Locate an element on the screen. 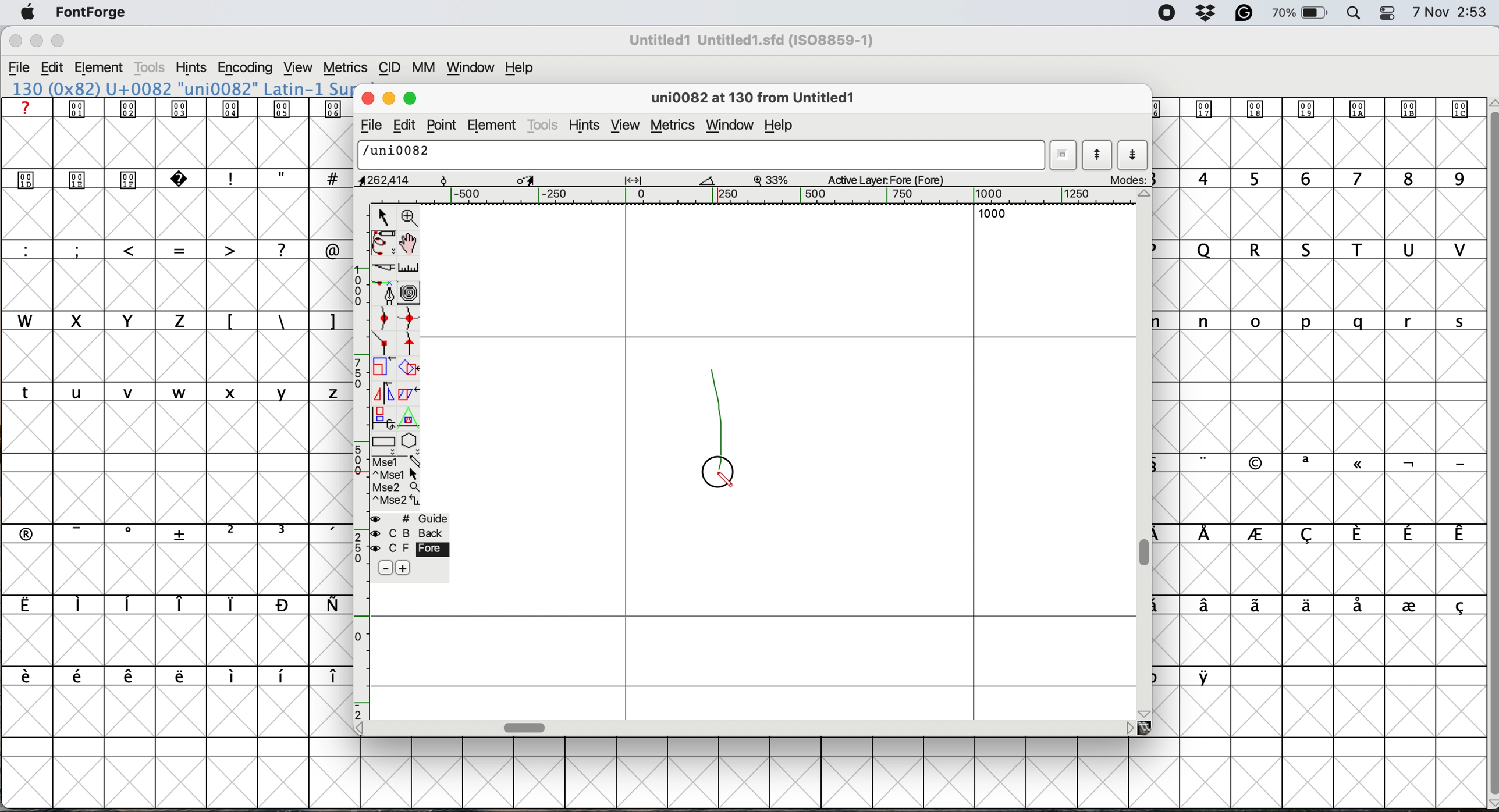 The height and width of the screenshot is (812, 1499). measure distance is located at coordinates (409, 267).